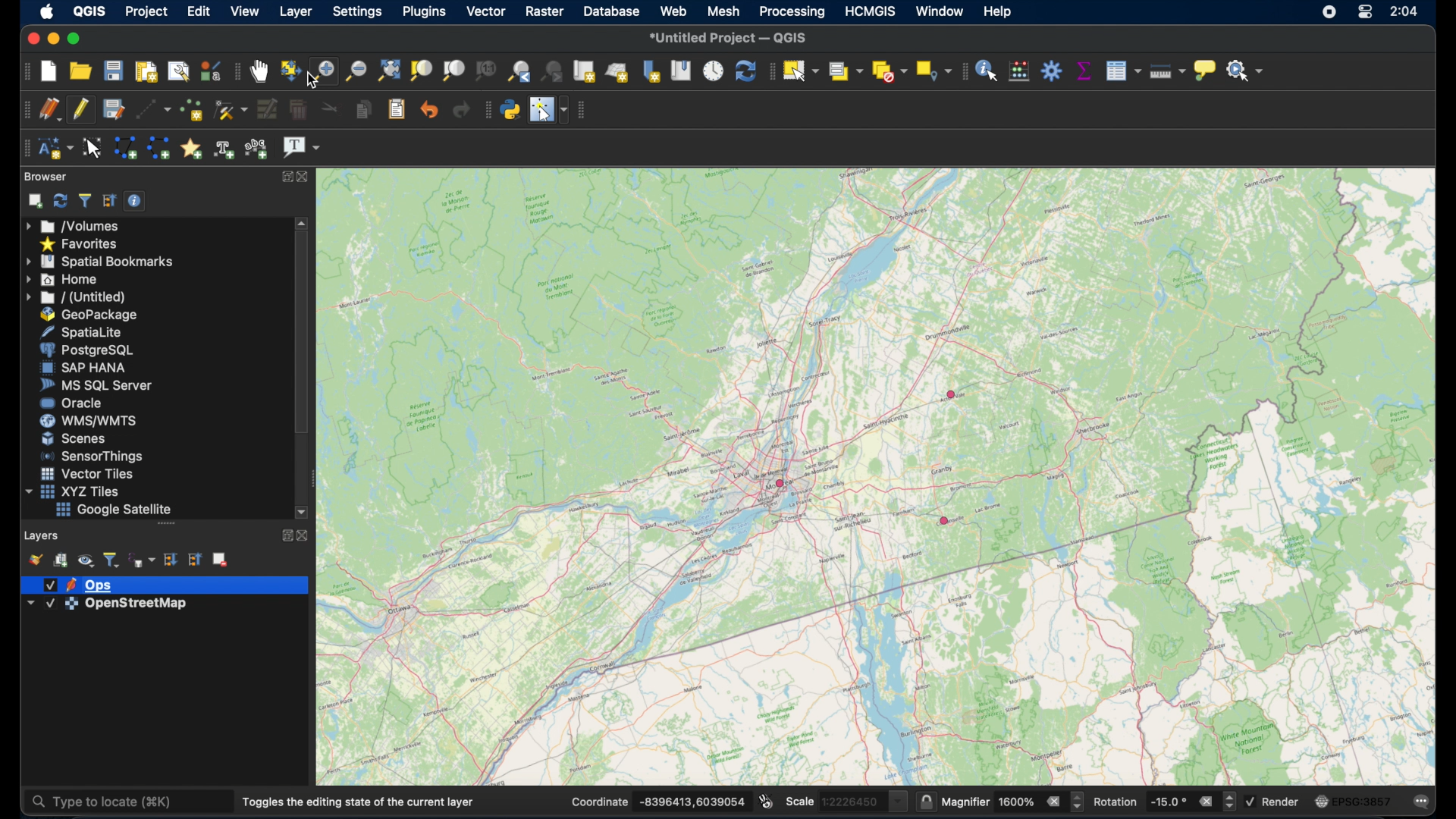 This screenshot has height=819, width=1456. Describe the element at coordinates (356, 801) in the screenshot. I see `toggles the editing state of current layer` at that location.